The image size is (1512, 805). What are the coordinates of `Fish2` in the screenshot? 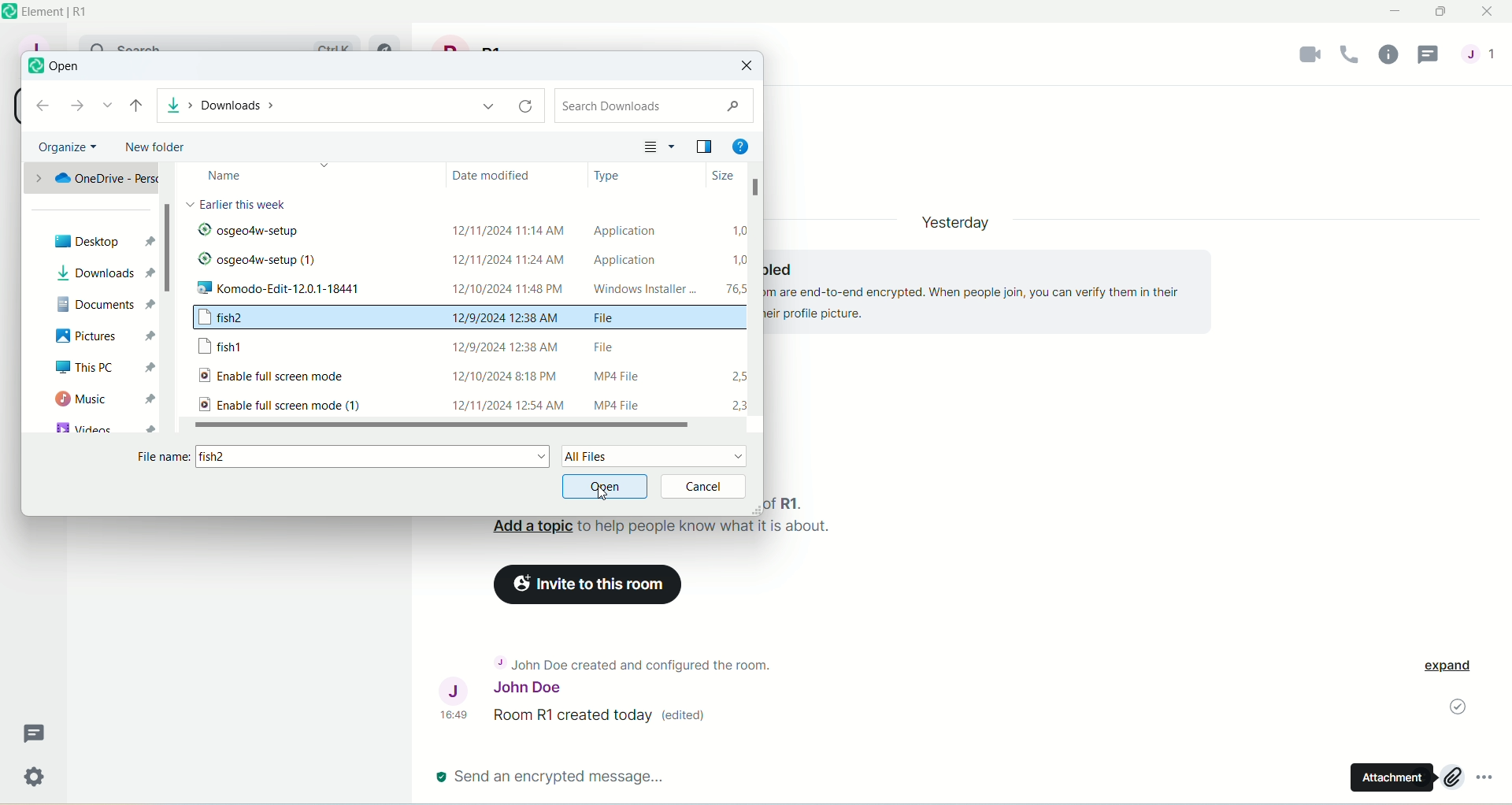 It's located at (250, 320).